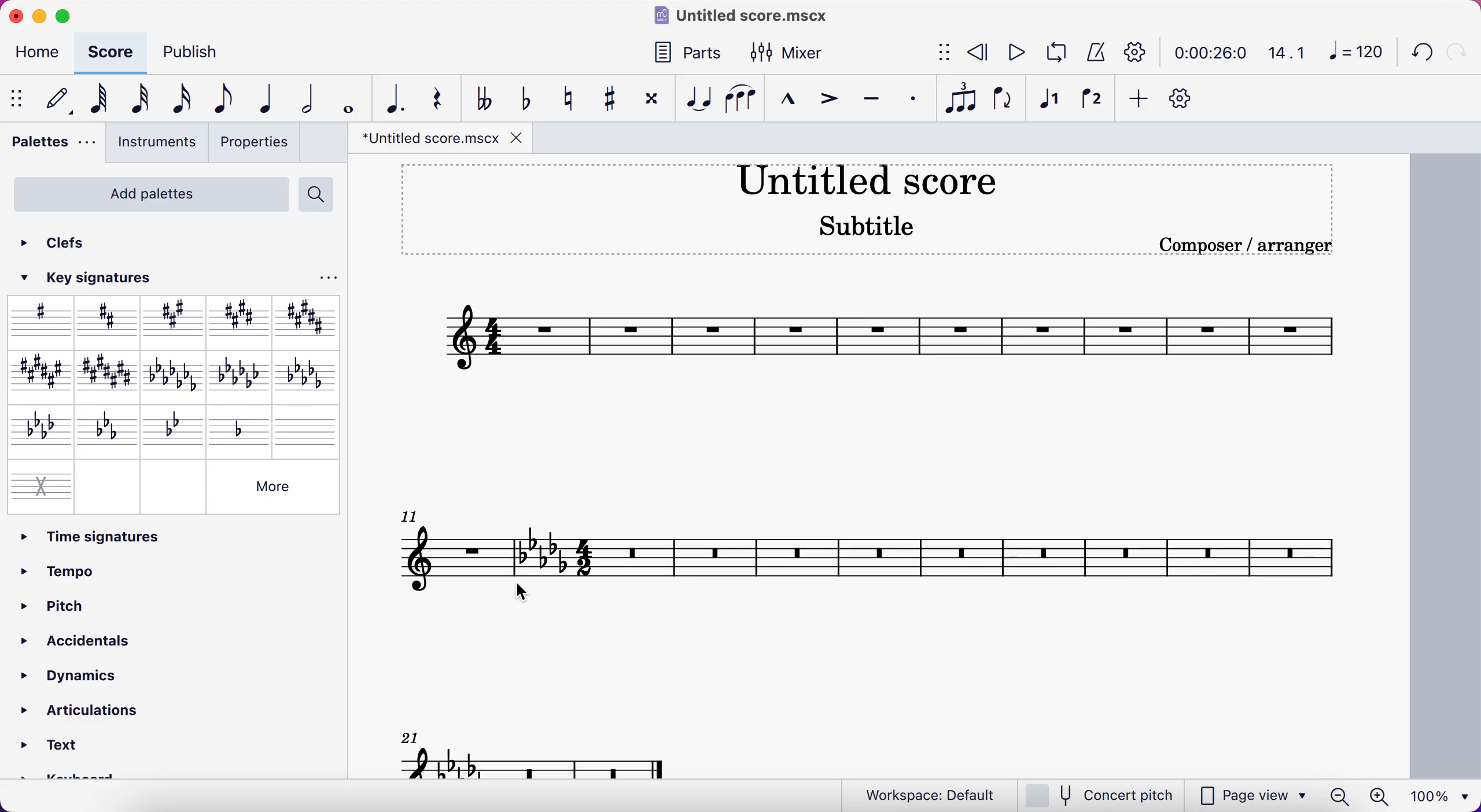 The height and width of the screenshot is (812, 1481). I want to click on articulations, so click(82, 713).